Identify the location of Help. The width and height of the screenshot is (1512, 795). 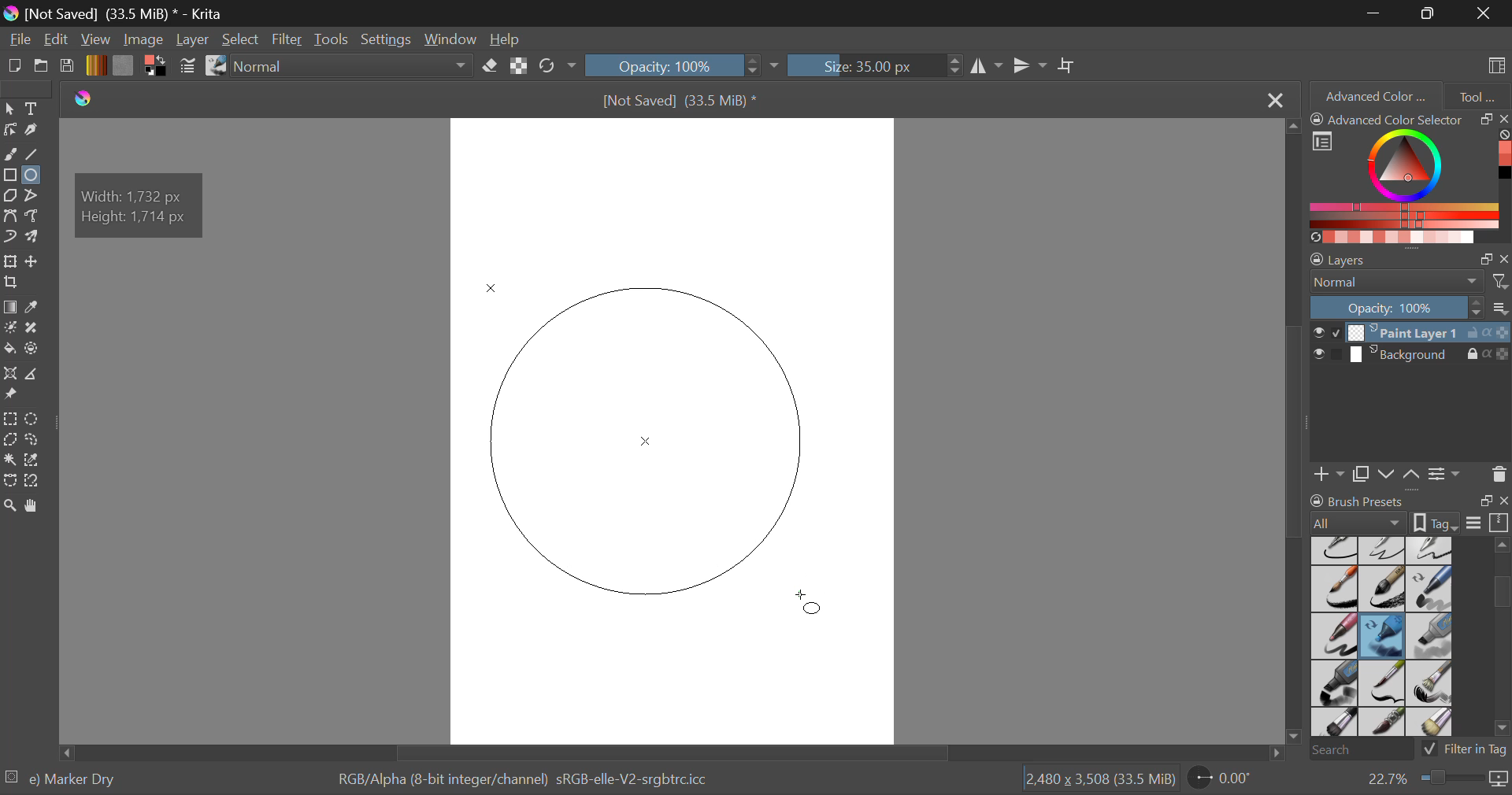
(507, 41).